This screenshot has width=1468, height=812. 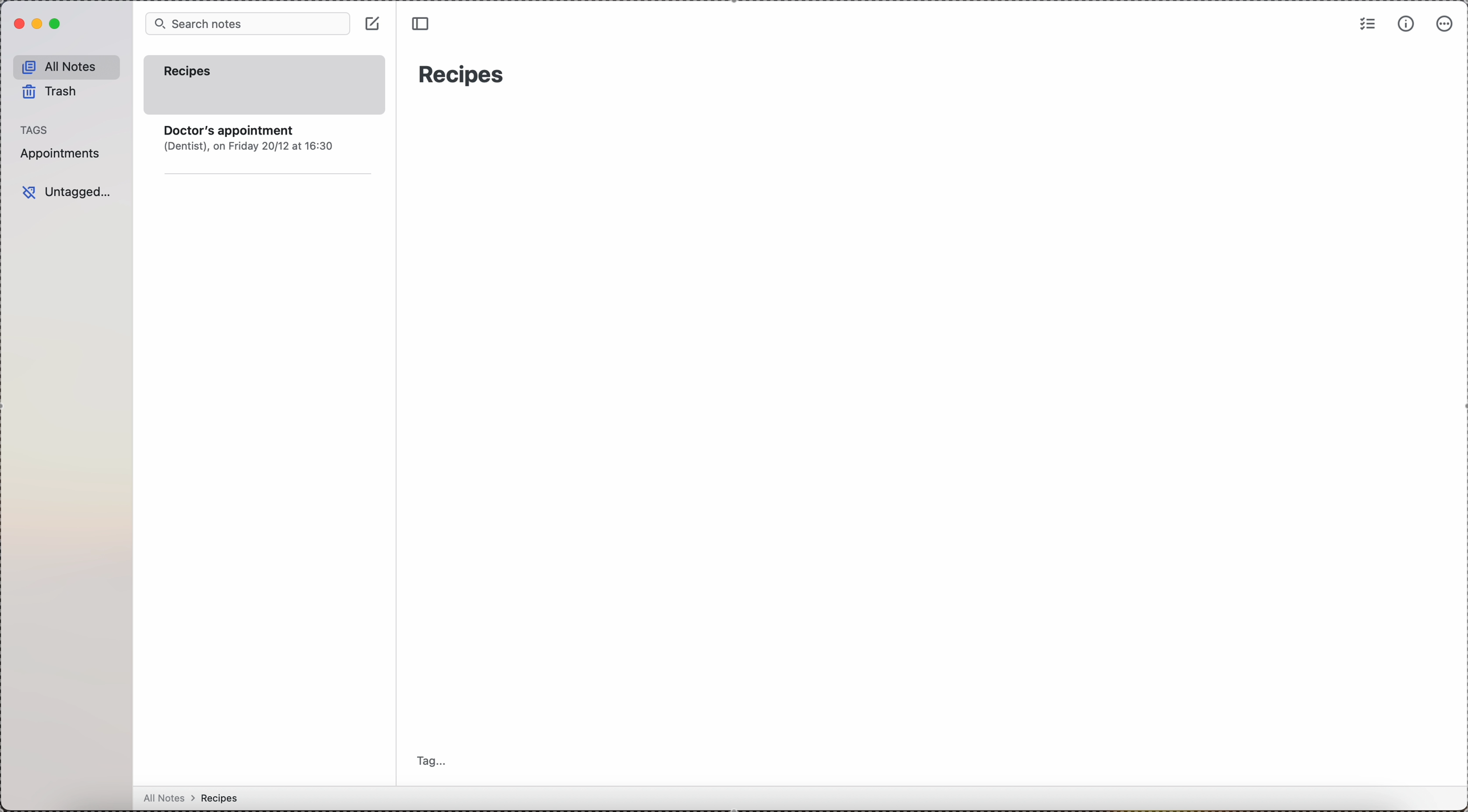 What do you see at coordinates (437, 761) in the screenshot?
I see `tag` at bounding box center [437, 761].